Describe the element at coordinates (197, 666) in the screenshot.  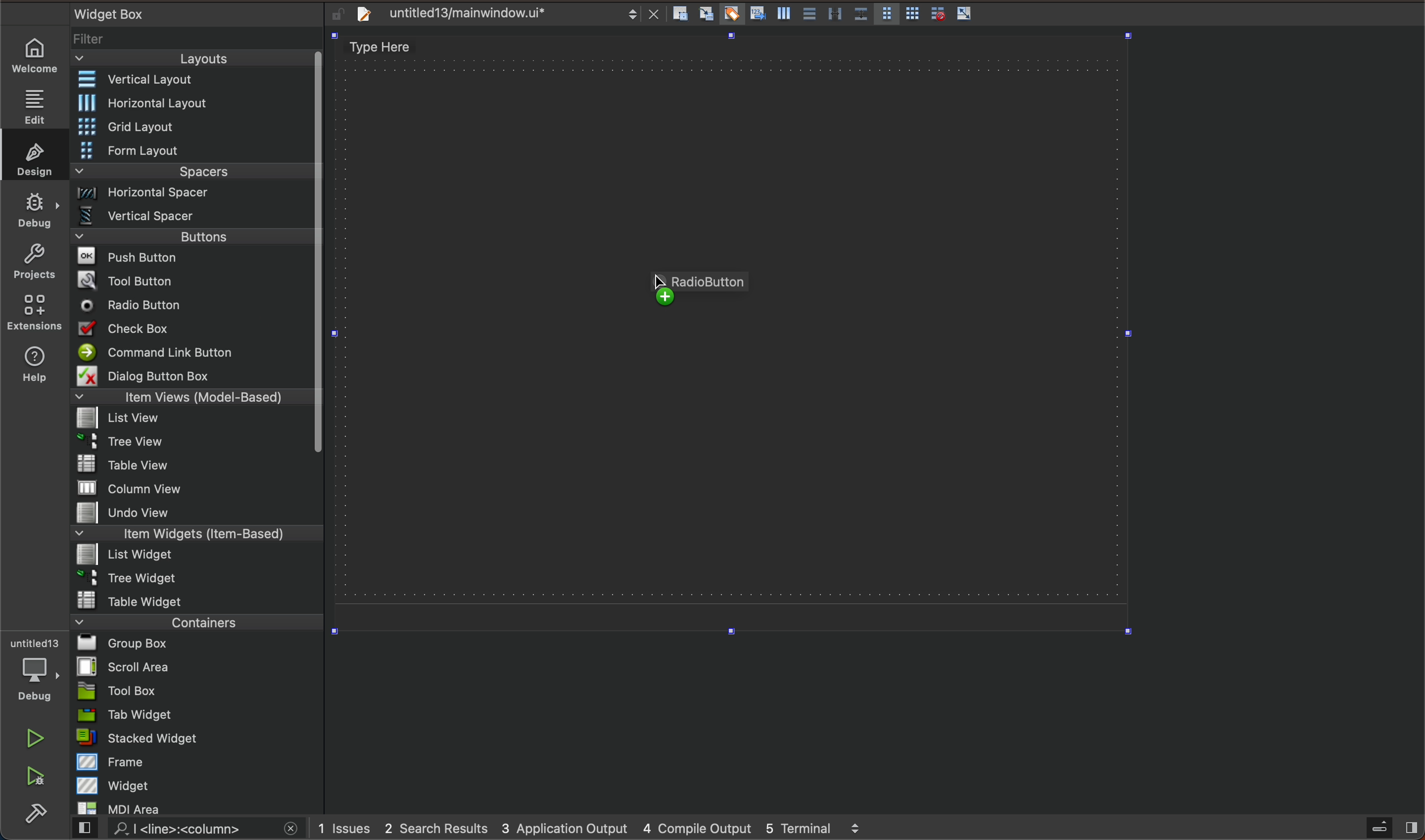
I see `scroll area` at that location.